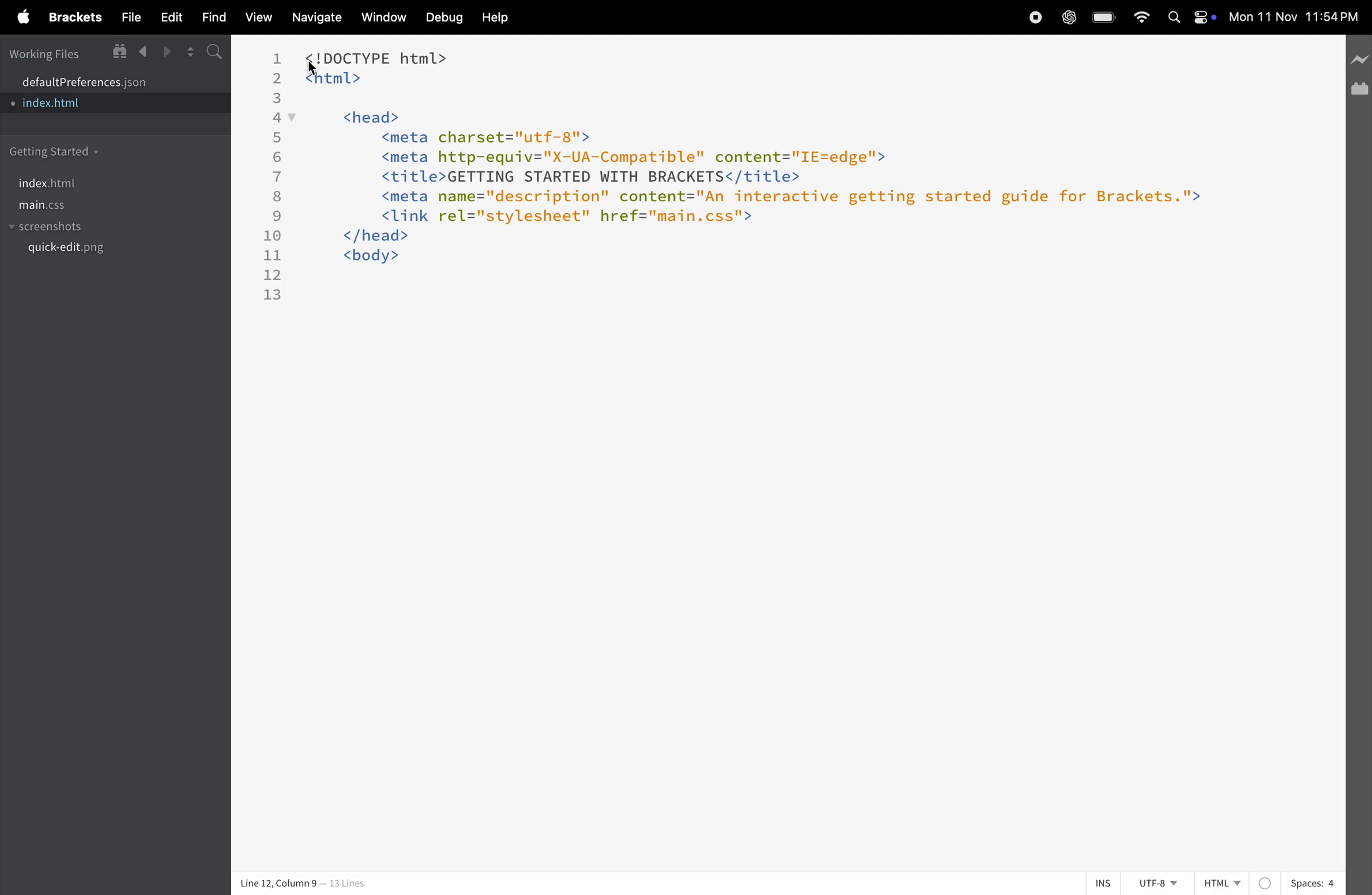  Describe the element at coordinates (276, 119) in the screenshot. I see `4` at that location.